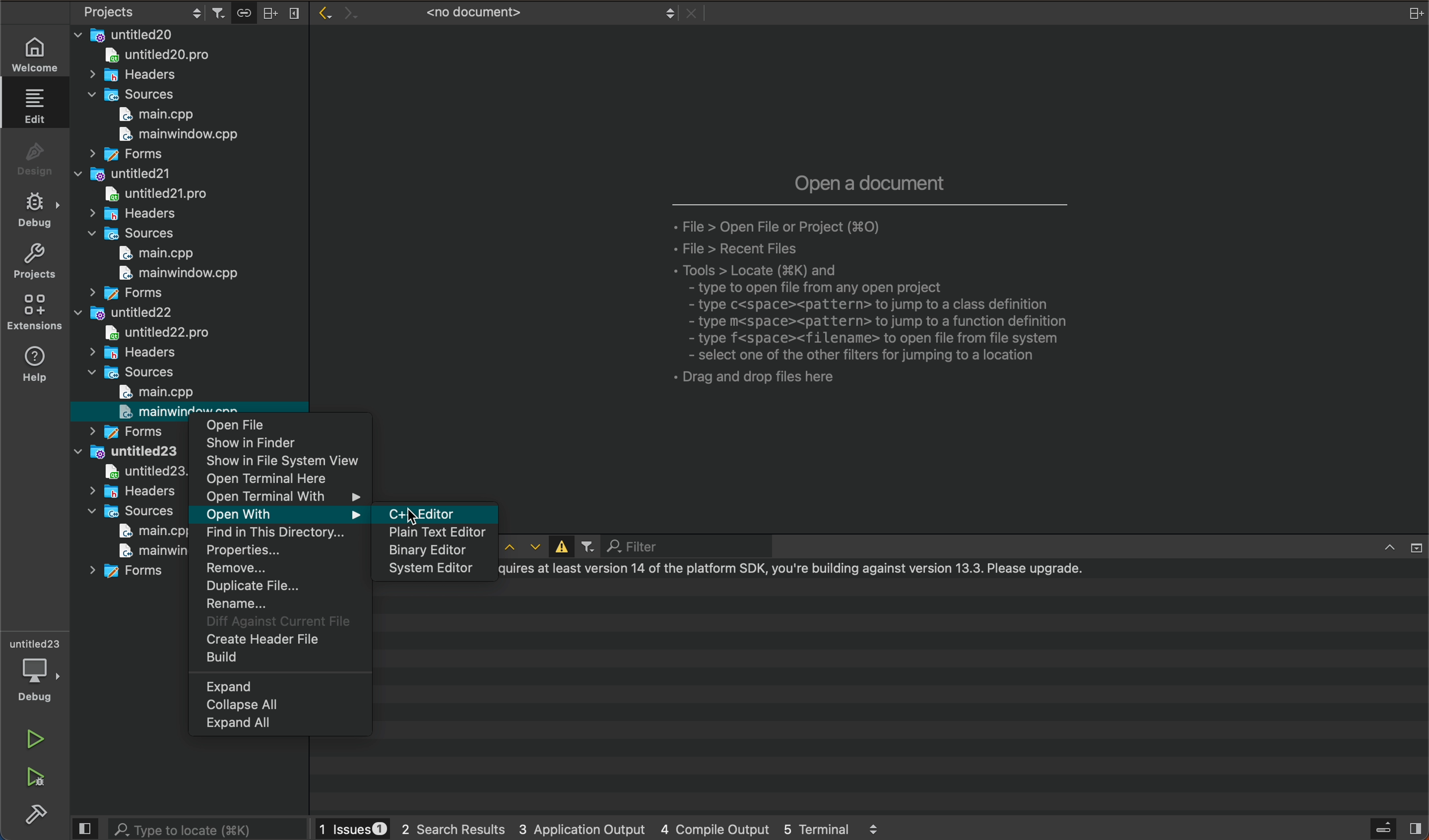 The width and height of the screenshot is (1429, 840). What do you see at coordinates (34, 264) in the screenshot?
I see `projects` at bounding box center [34, 264].